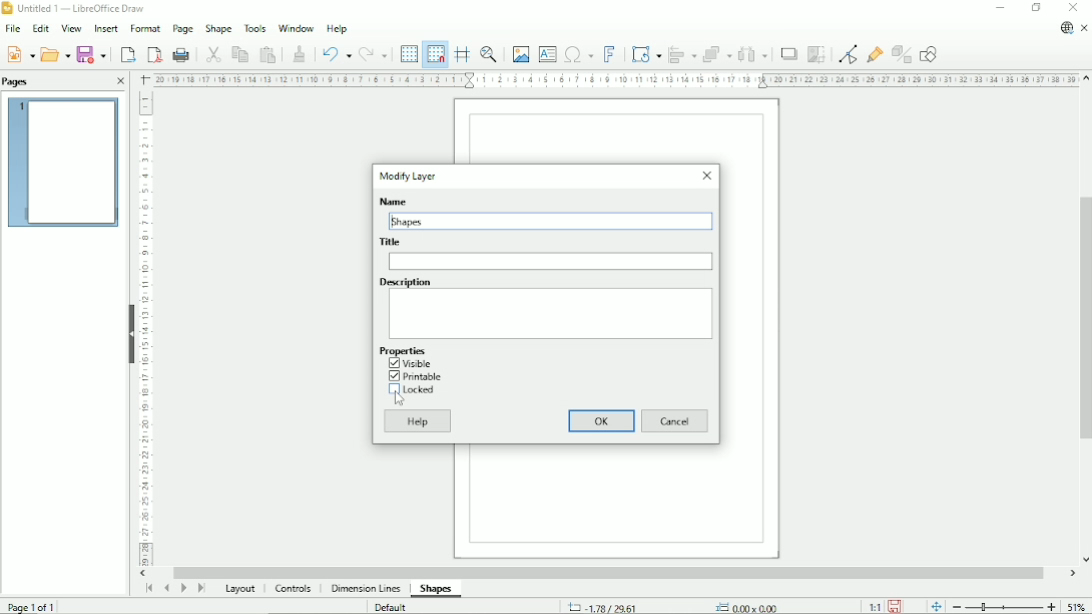 Image resolution: width=1092 pixels, height=614 pixels. What do you see at coordinates (130, 332) in the screenshot?
I see `Hide` at bounding box center [130, 332].